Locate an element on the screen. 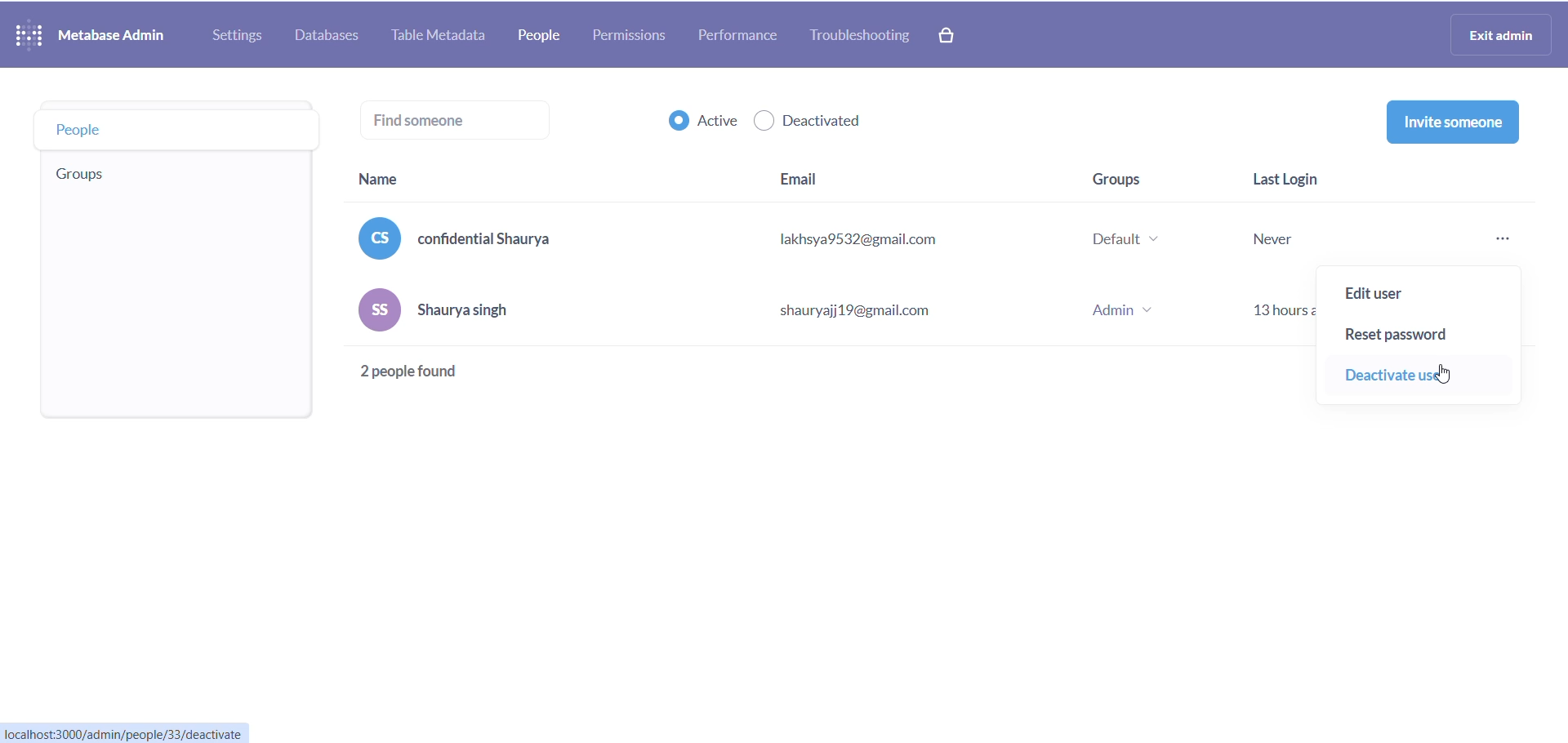 The height and width of the screenshot is (743, 1568). deactivate user is located at coordinates (1410, 380).